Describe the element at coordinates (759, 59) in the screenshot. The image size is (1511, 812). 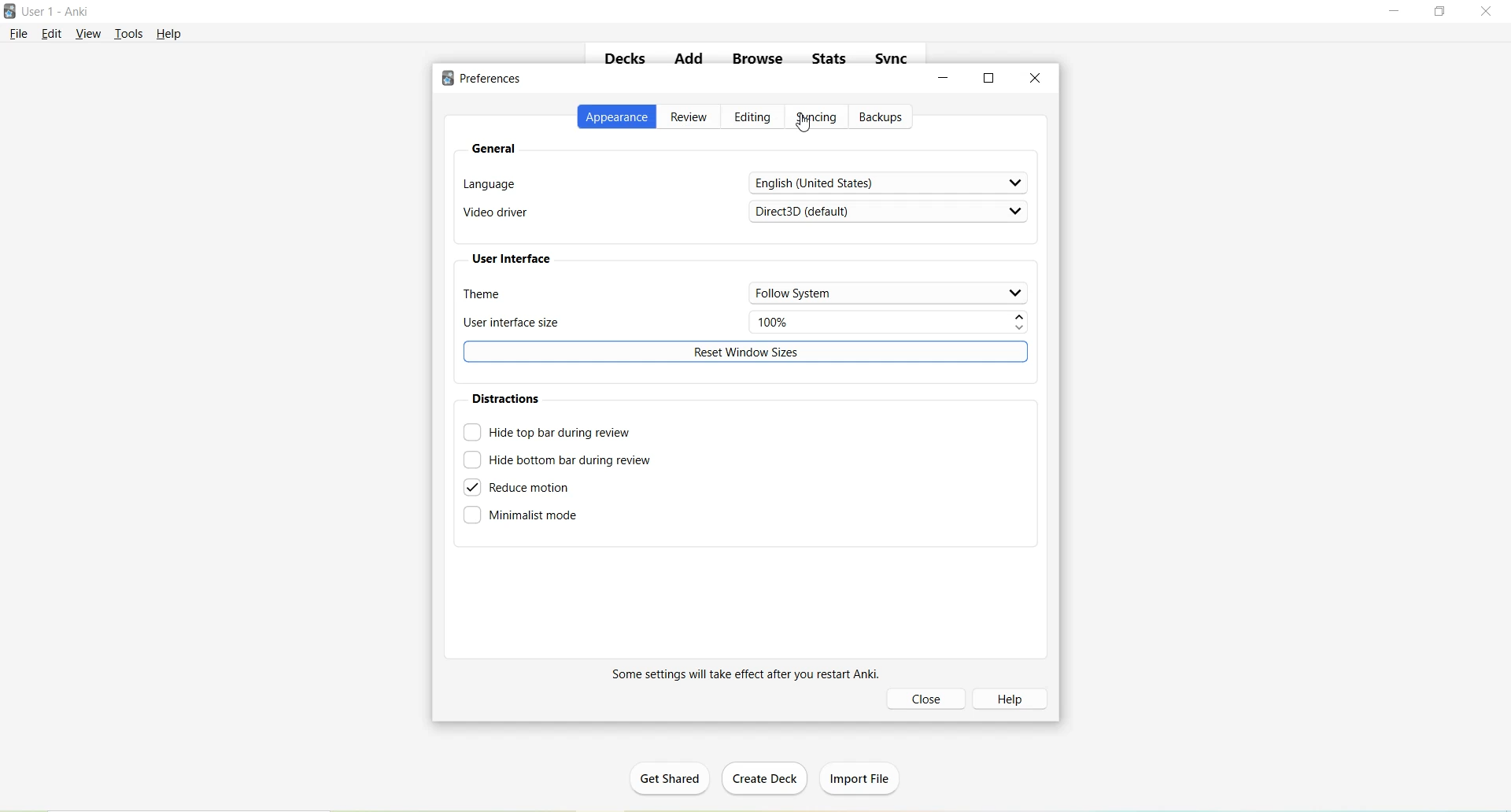
I see `Browse` at that location.